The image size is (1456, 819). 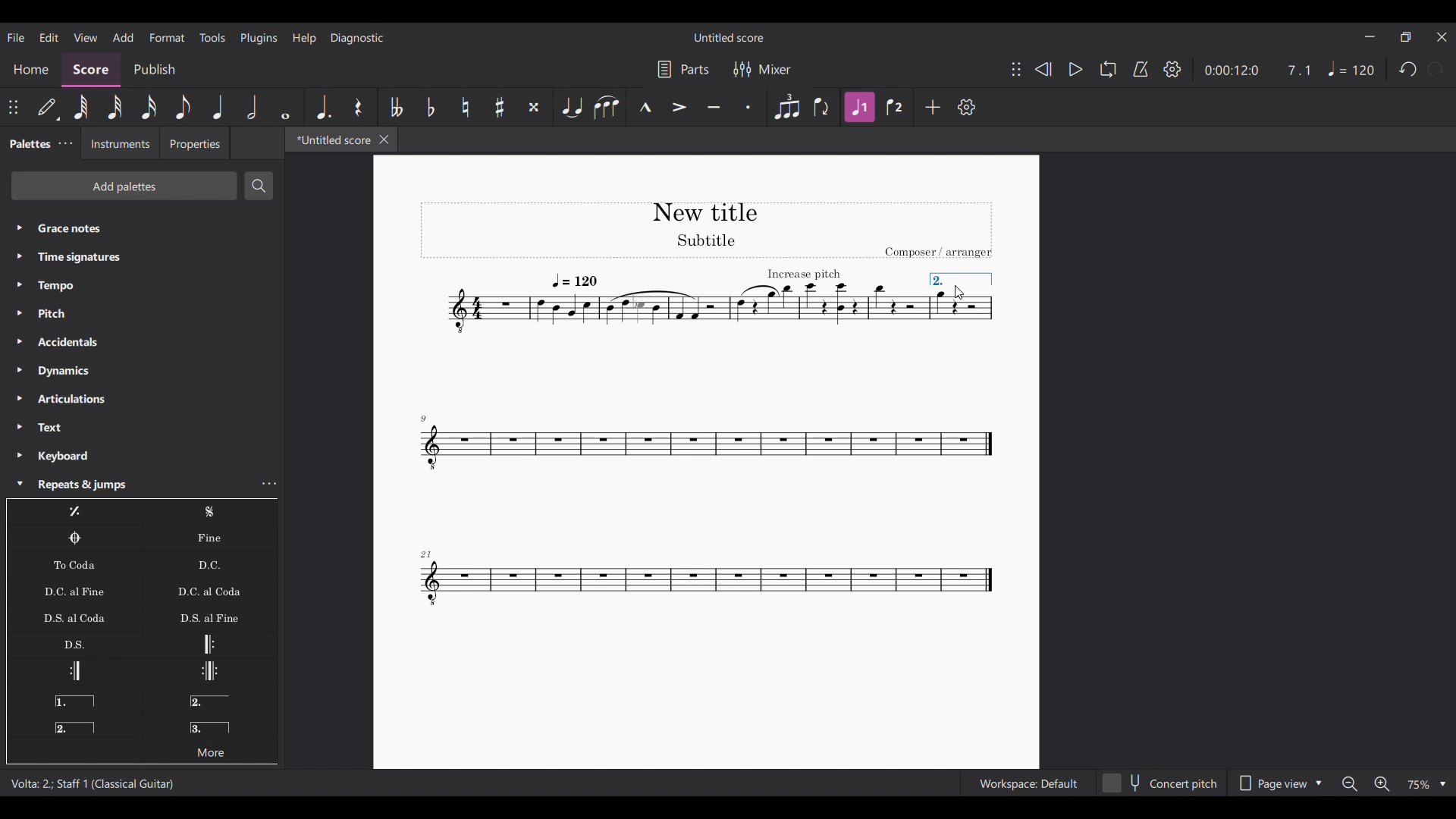 I want to click on 16th note, so click(x=149, y=107).